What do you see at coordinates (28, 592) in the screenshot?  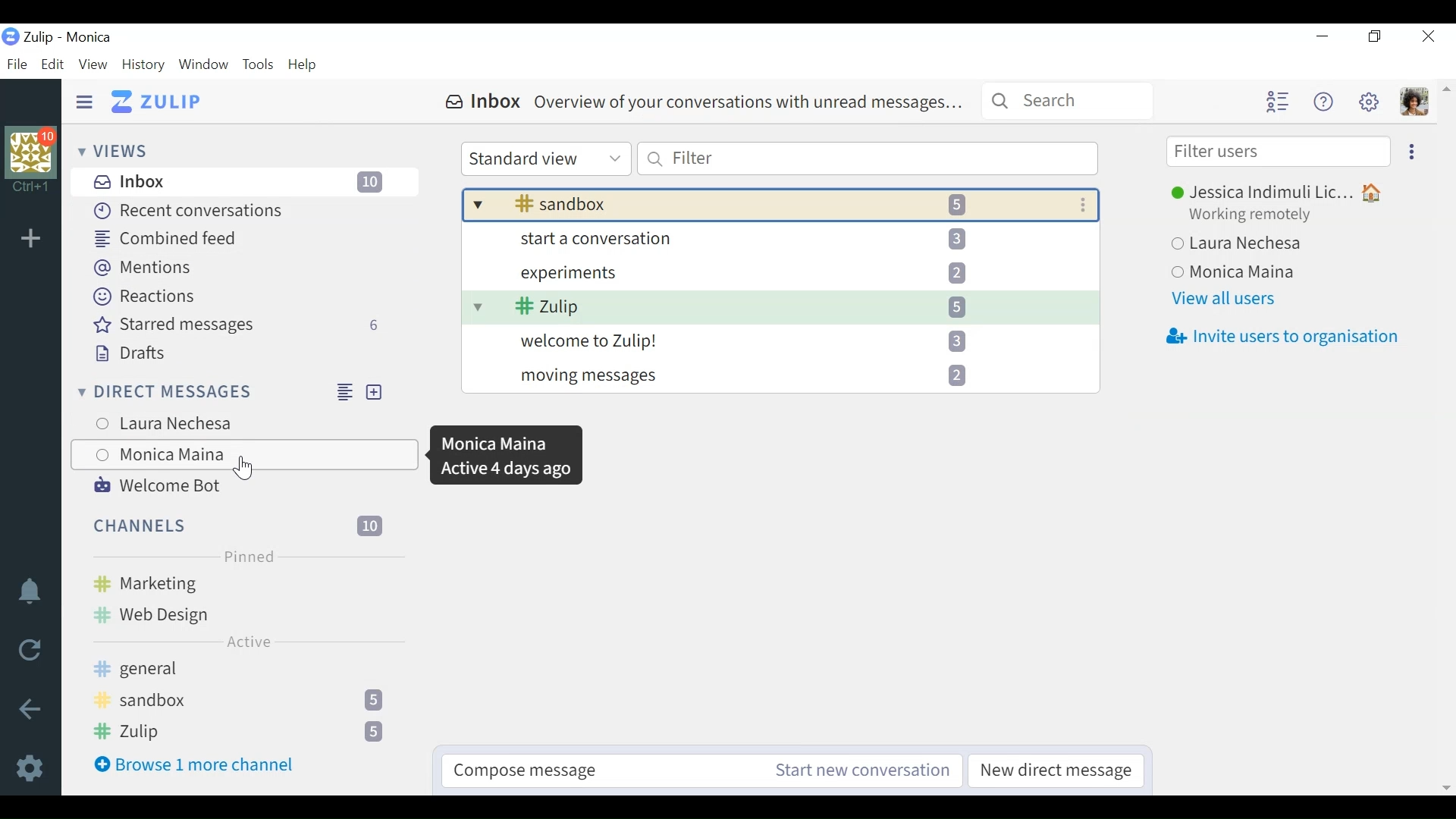 I see `Notification` at bounding box center [28, 592].